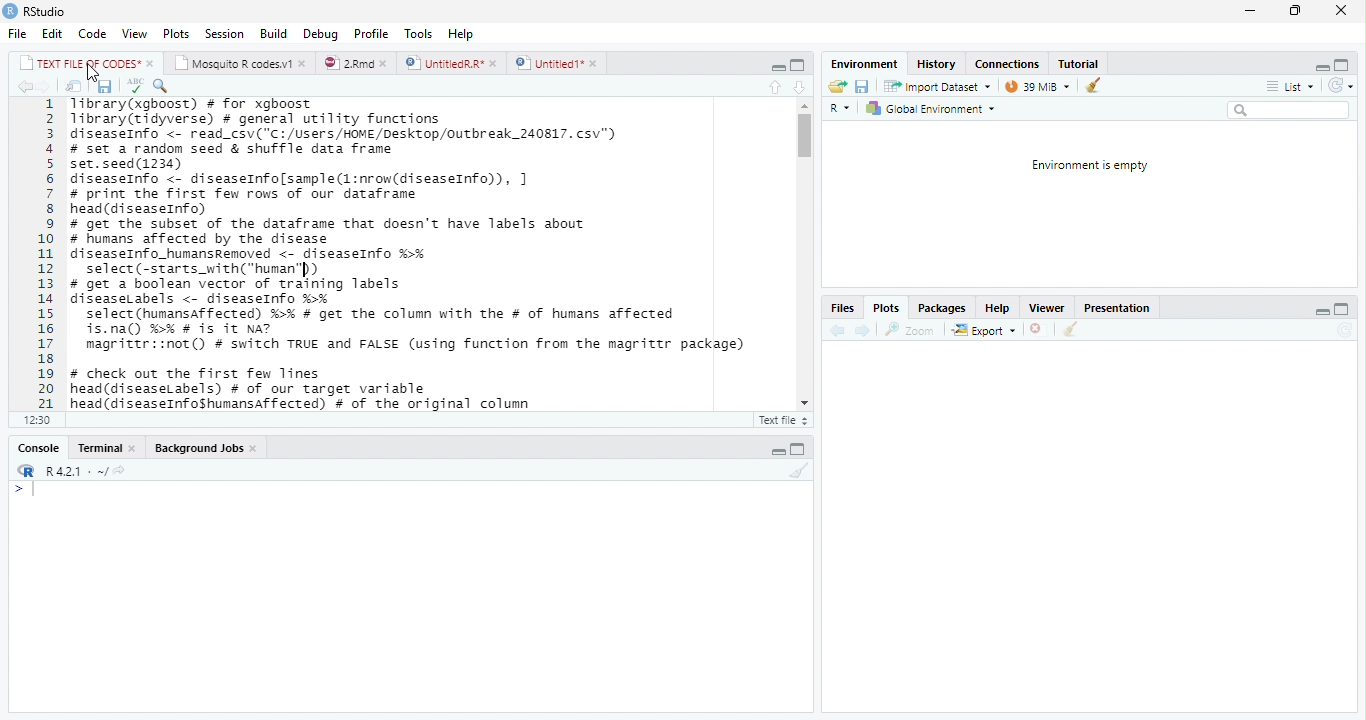 The height and width of the screenshot is (720, 1366). I want to click on Minimize, so click(779, 451).